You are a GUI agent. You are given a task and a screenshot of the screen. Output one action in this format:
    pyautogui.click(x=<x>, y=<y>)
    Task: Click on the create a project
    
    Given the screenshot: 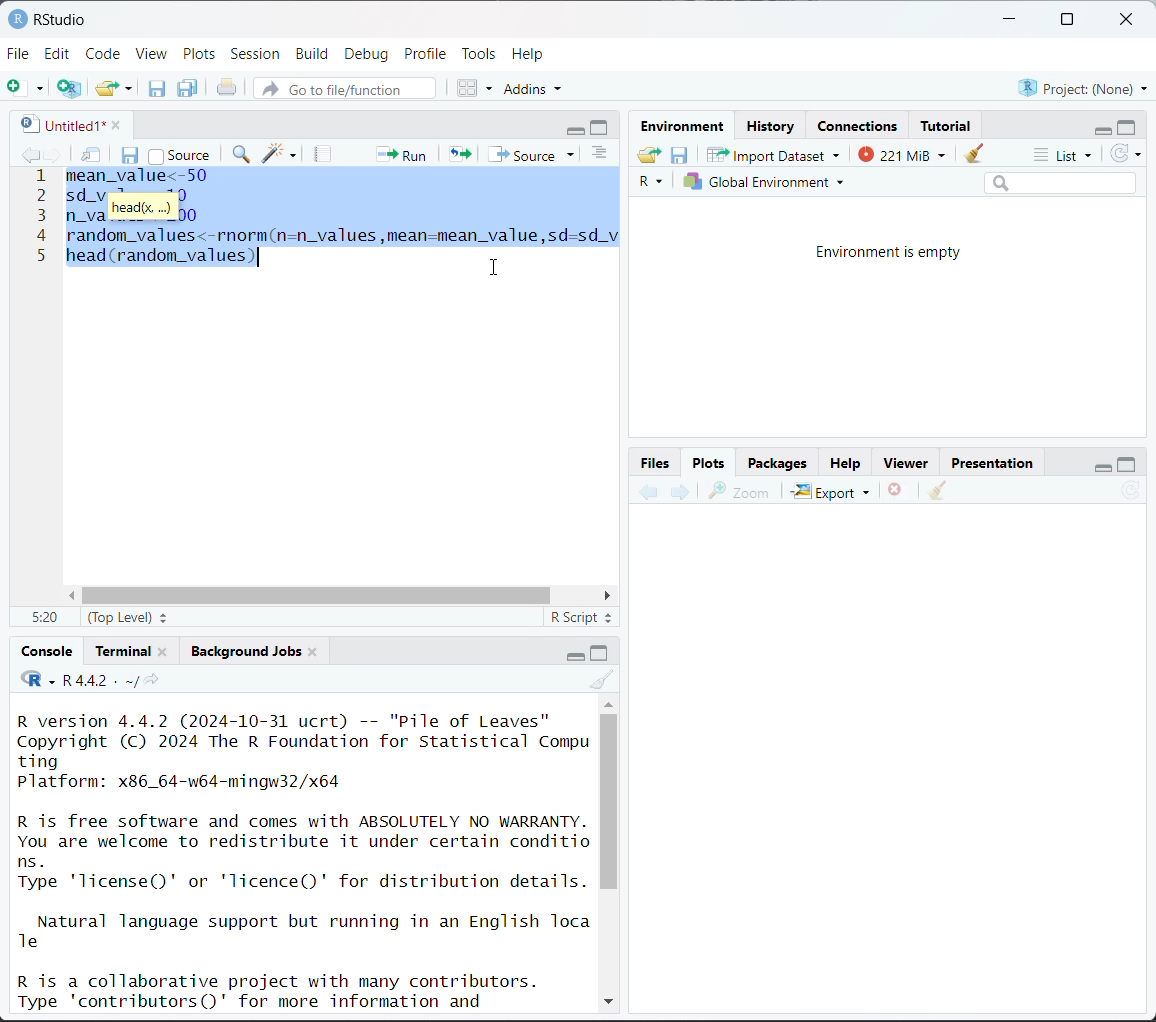 What is the action you would take?
    pyautogui.click(x=69, y=88)
    